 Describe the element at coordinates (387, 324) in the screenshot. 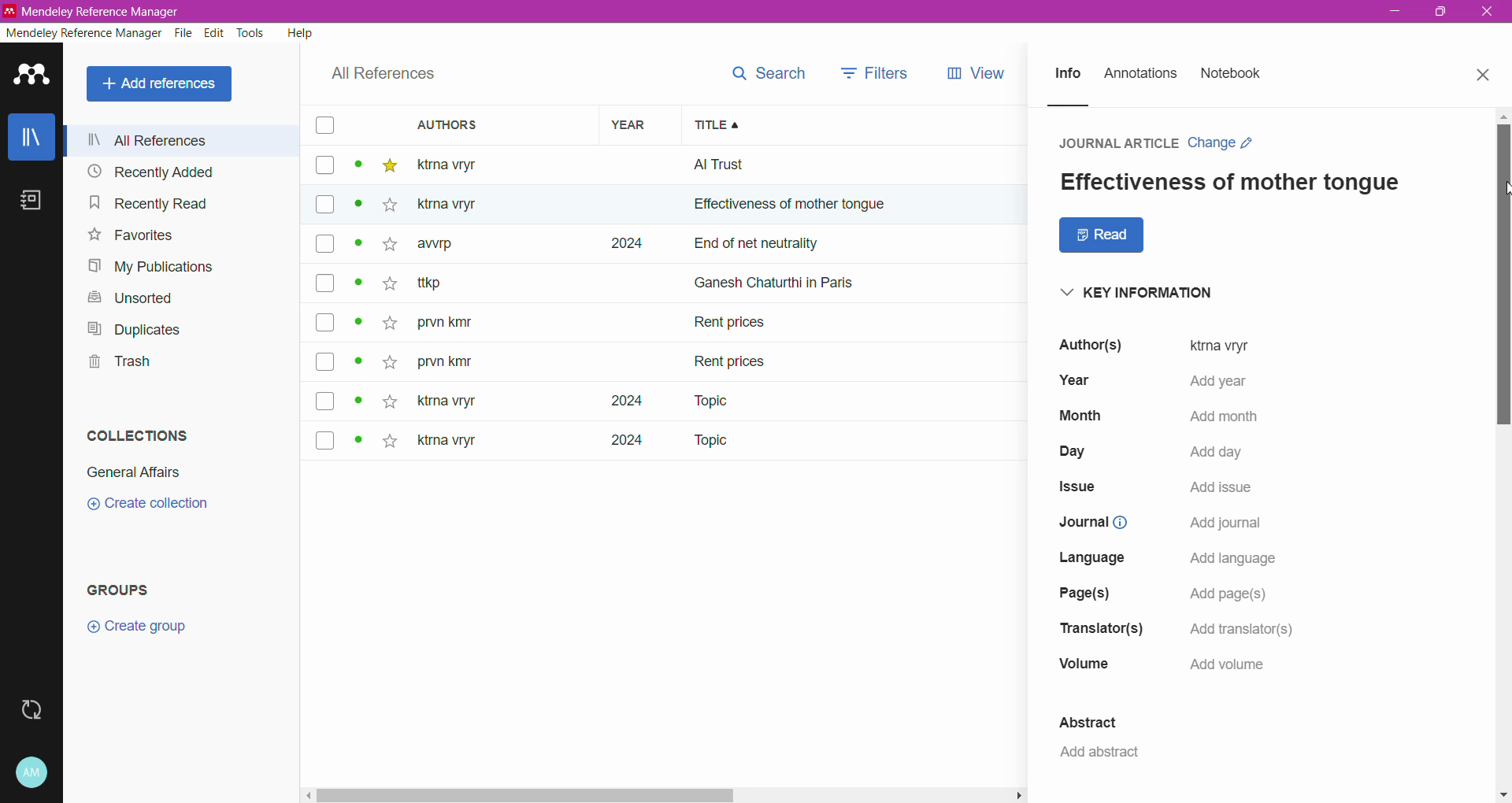

I see `star` at that location.